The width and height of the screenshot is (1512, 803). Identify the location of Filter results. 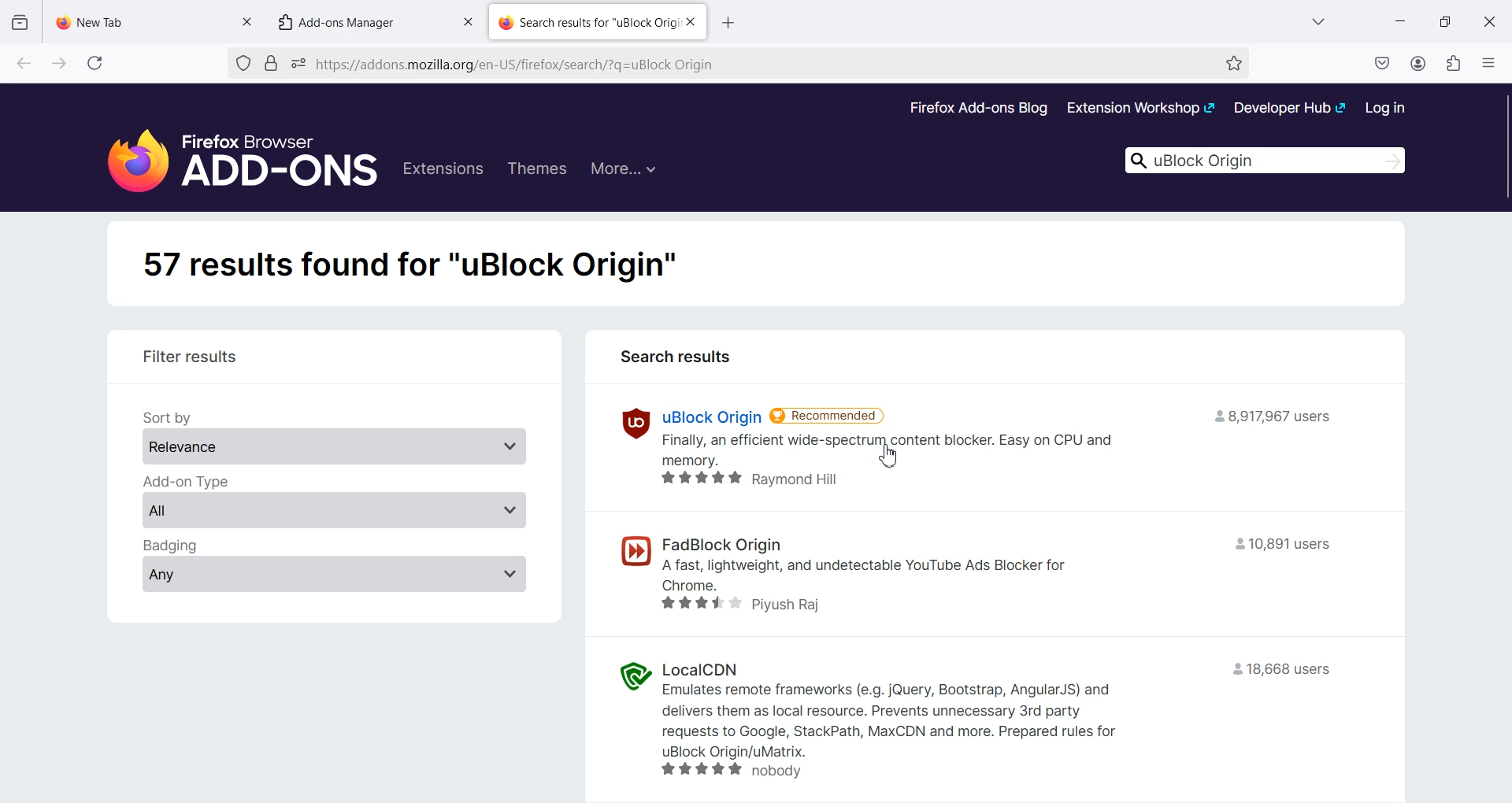
(190, 356).